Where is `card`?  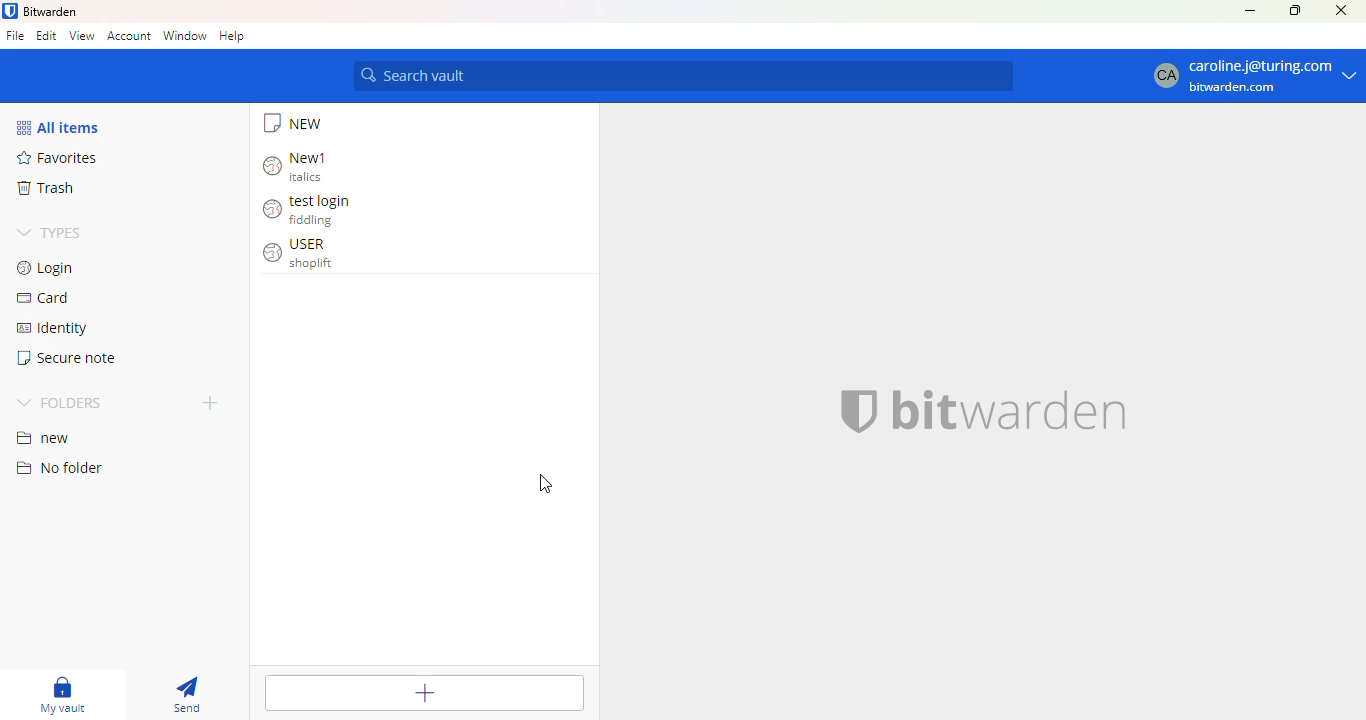
card is located at coordinates (44, 298).